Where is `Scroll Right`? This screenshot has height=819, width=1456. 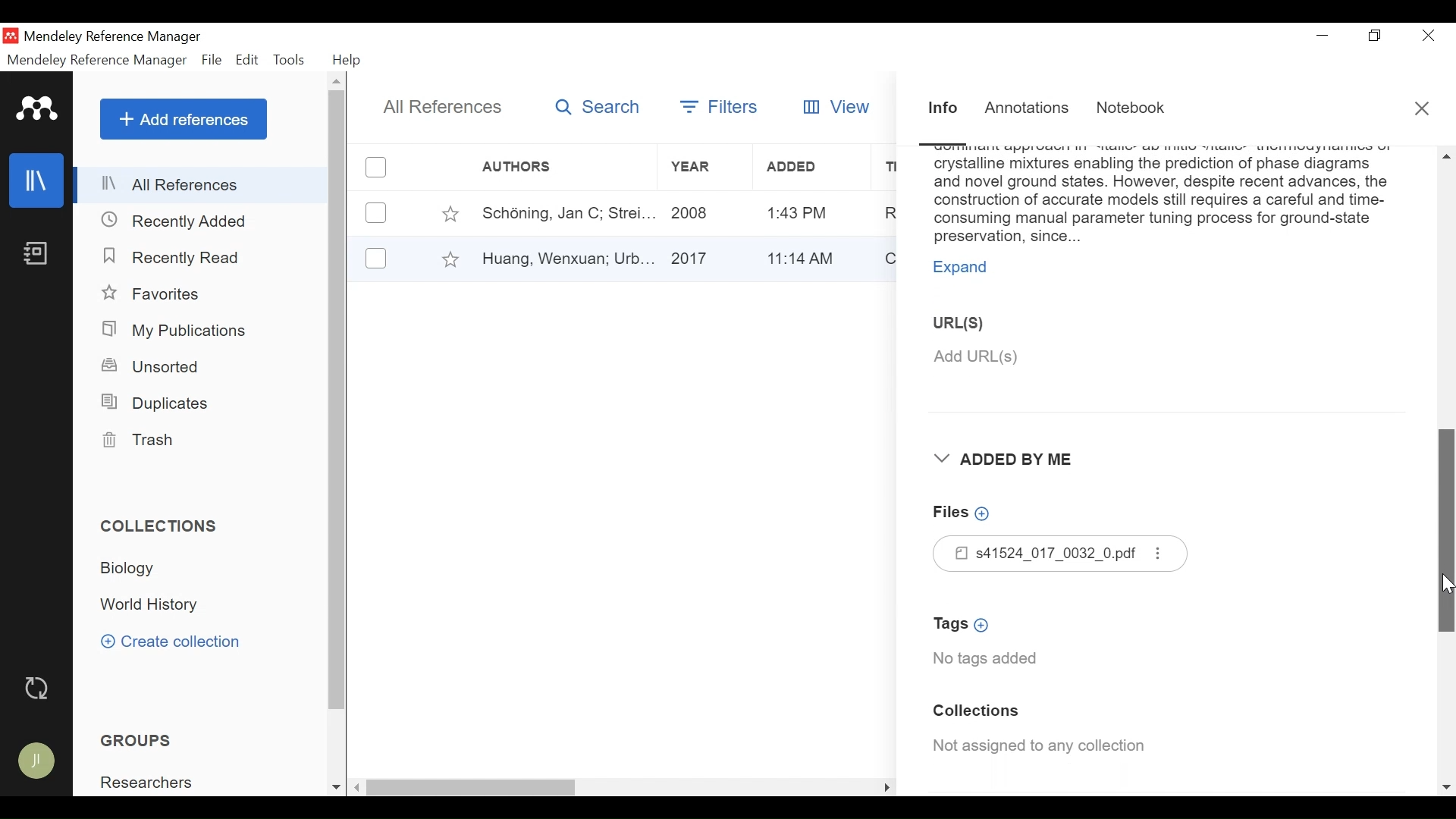
Scroll Right is located at coordinates (887, 787).